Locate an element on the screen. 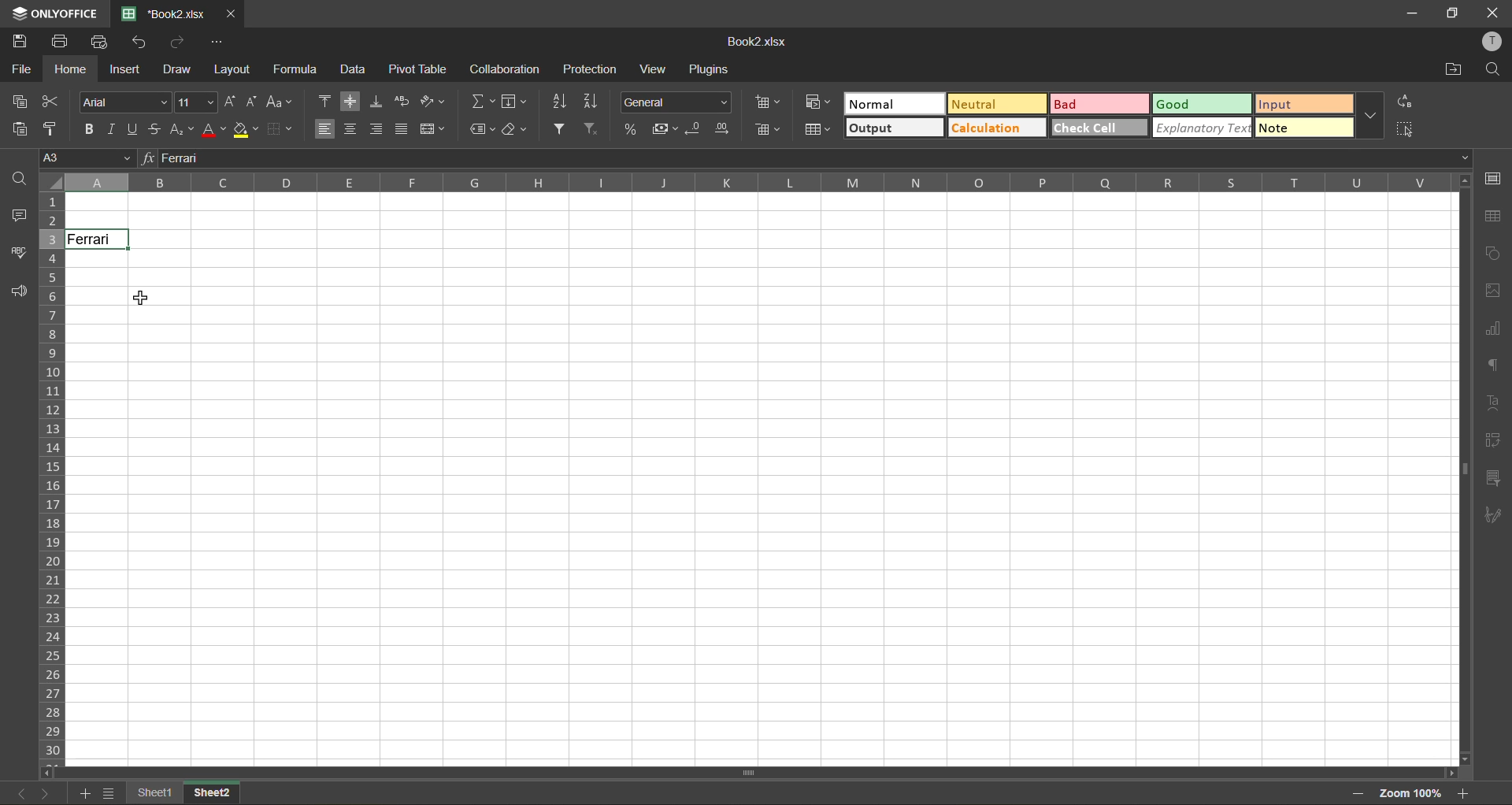 The height and width of the screenshot is (805, 1512). accounting is located at coordinates (663, 129).